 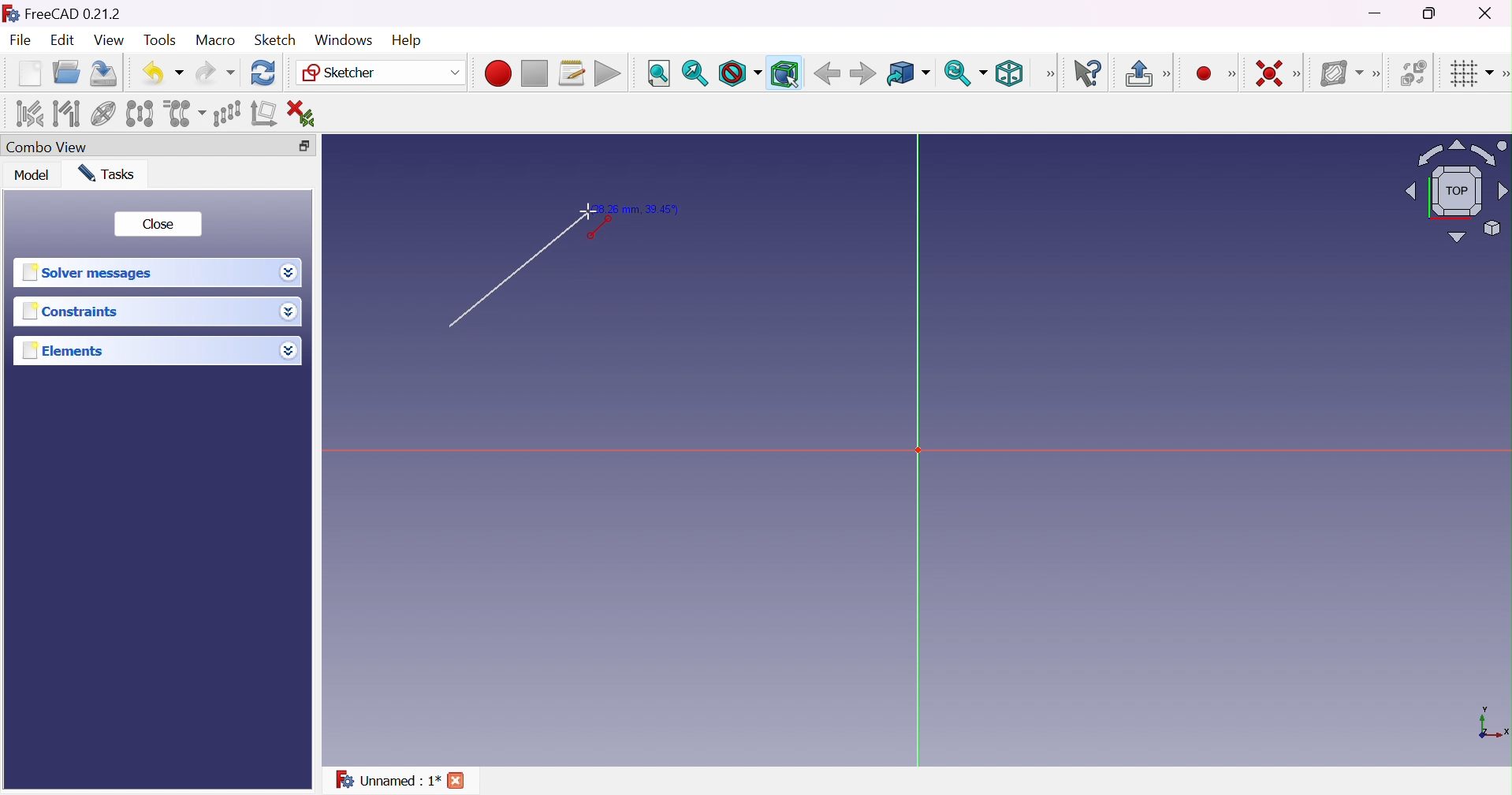 What do you see at coordinates (1493, 724) in the screenshot?
I see `x, y plane` at bounding box center [1493, 724].